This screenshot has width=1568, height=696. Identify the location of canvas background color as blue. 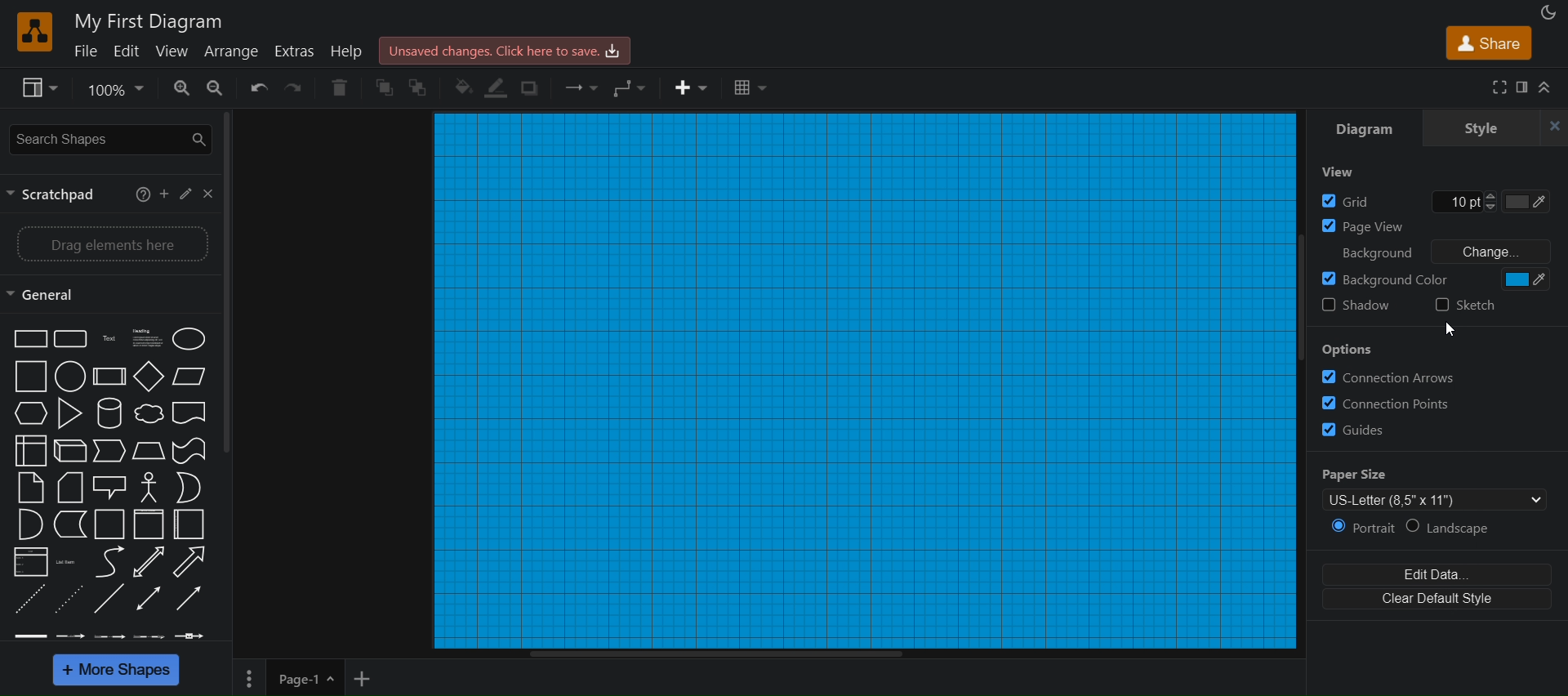
(862, 382).